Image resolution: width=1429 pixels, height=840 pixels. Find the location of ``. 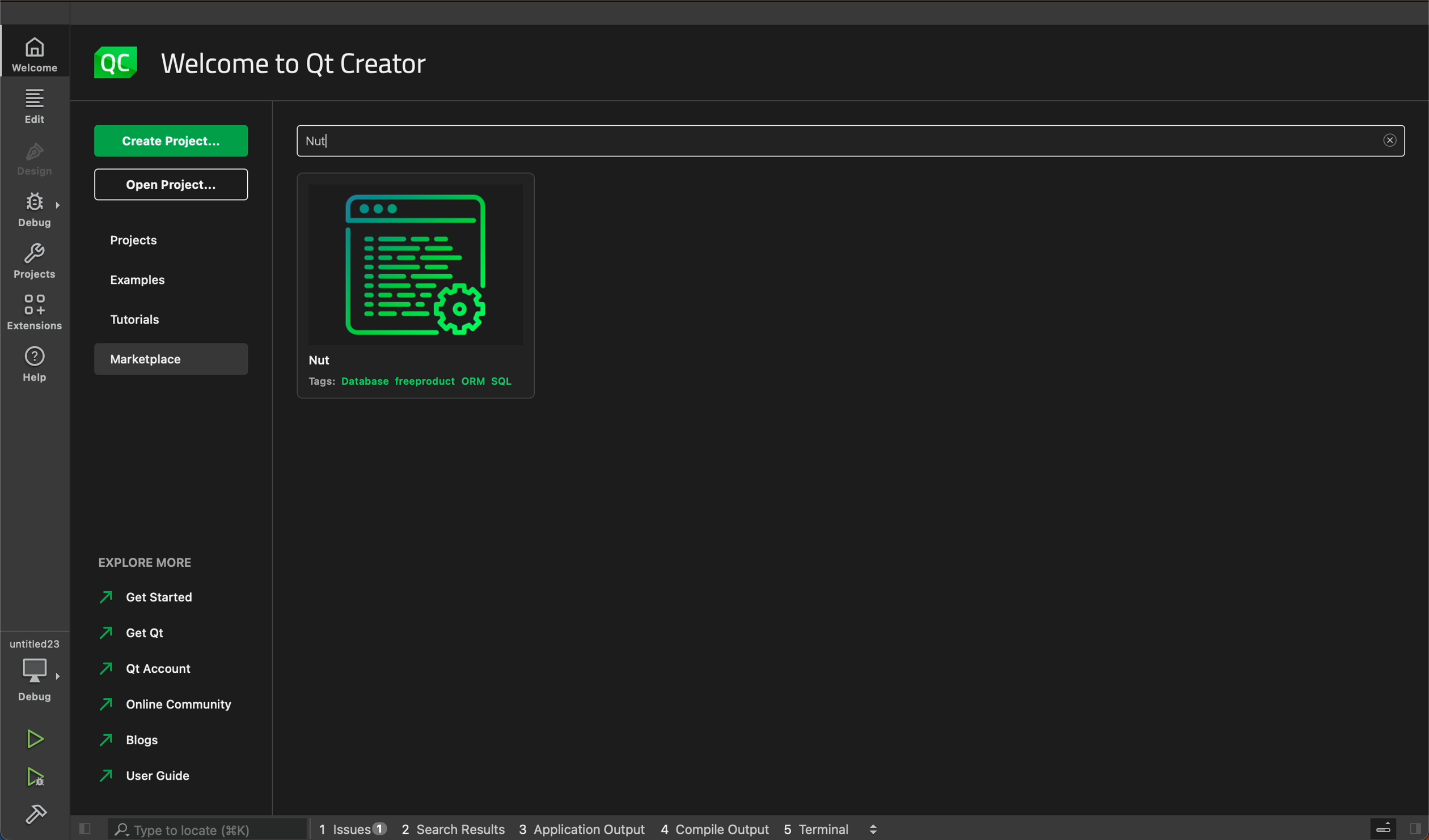

 is located at coordinates (151, 632).